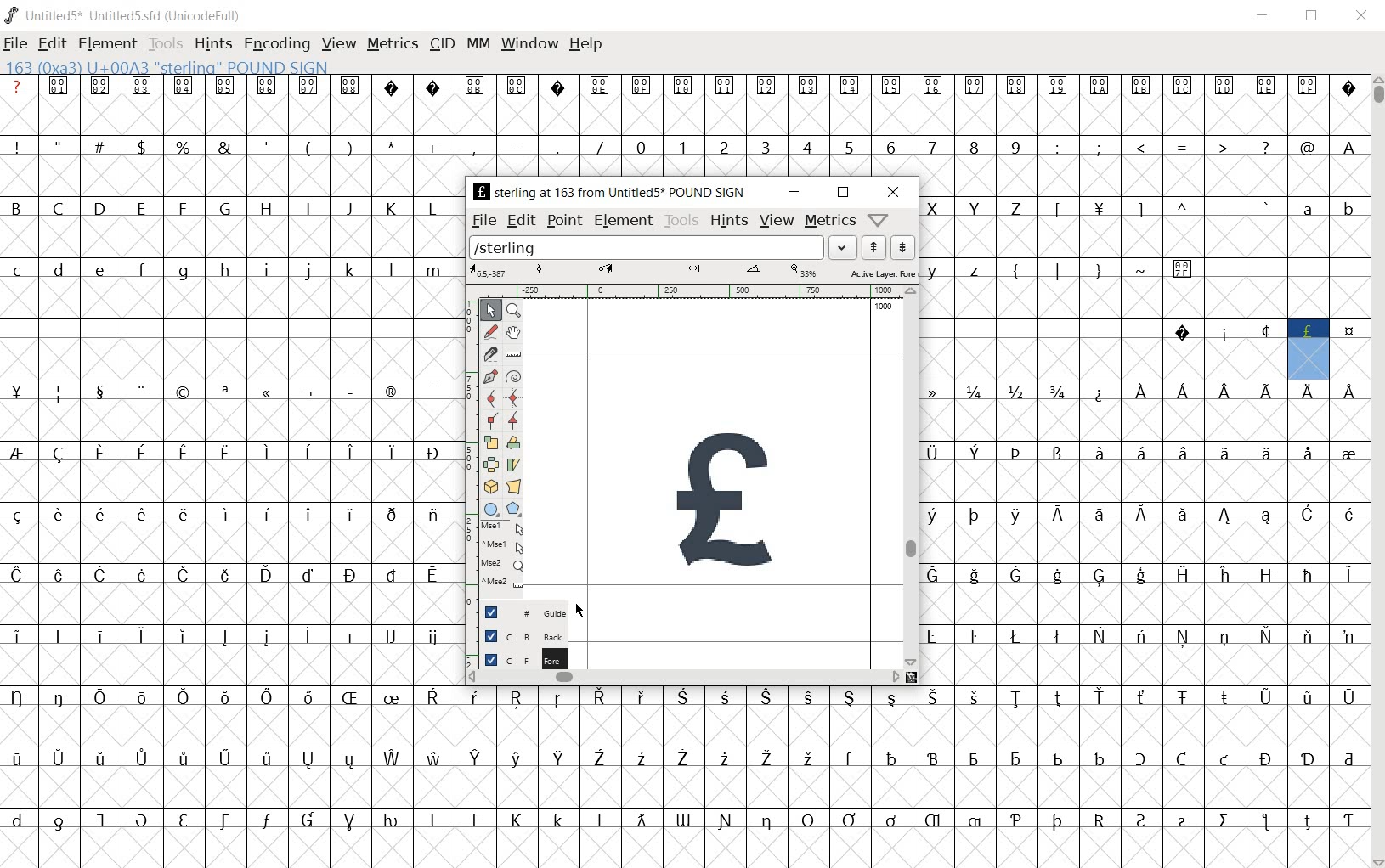 This screenshot has height=868, width=1385. What do you see at coordinates (1309, 759) in the screenshot?
I see `Symbol` at bounding box center [1309, 759].